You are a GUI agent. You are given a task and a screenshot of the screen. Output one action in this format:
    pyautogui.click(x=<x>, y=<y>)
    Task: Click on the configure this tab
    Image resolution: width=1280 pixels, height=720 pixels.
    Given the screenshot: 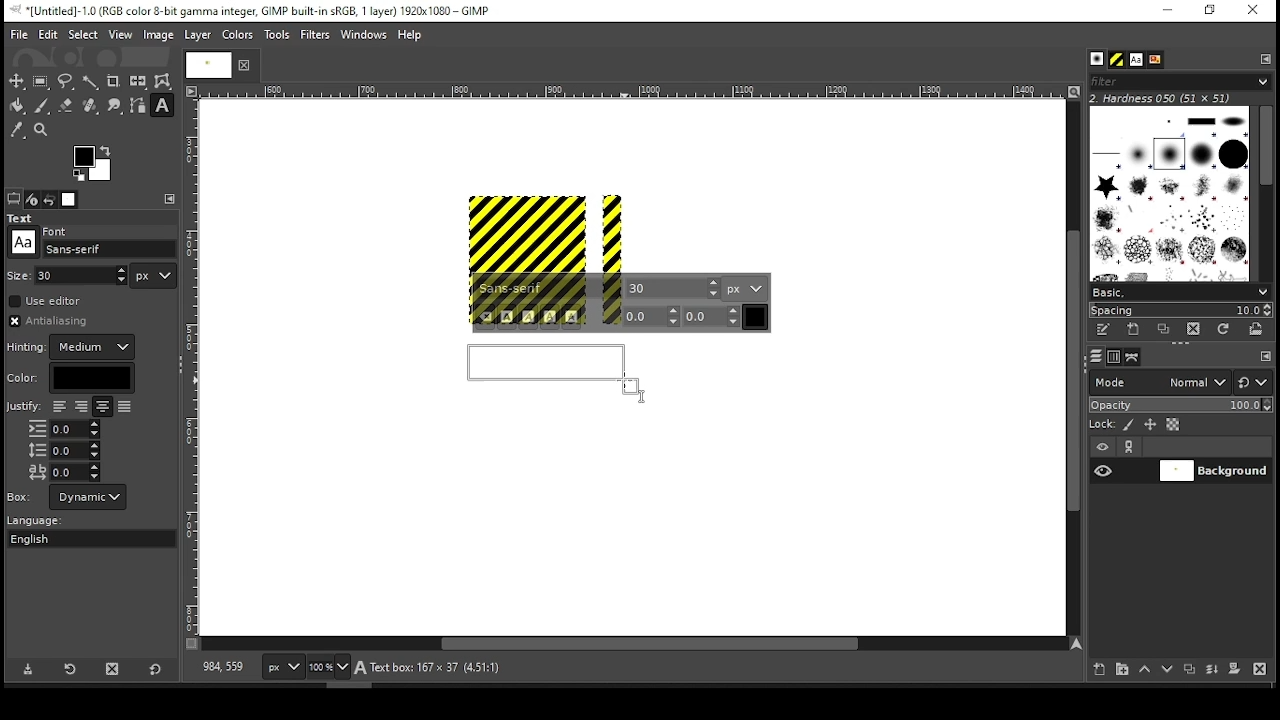 What is the action you would take?
    pyautogui.click(x=1266, y=358)
    